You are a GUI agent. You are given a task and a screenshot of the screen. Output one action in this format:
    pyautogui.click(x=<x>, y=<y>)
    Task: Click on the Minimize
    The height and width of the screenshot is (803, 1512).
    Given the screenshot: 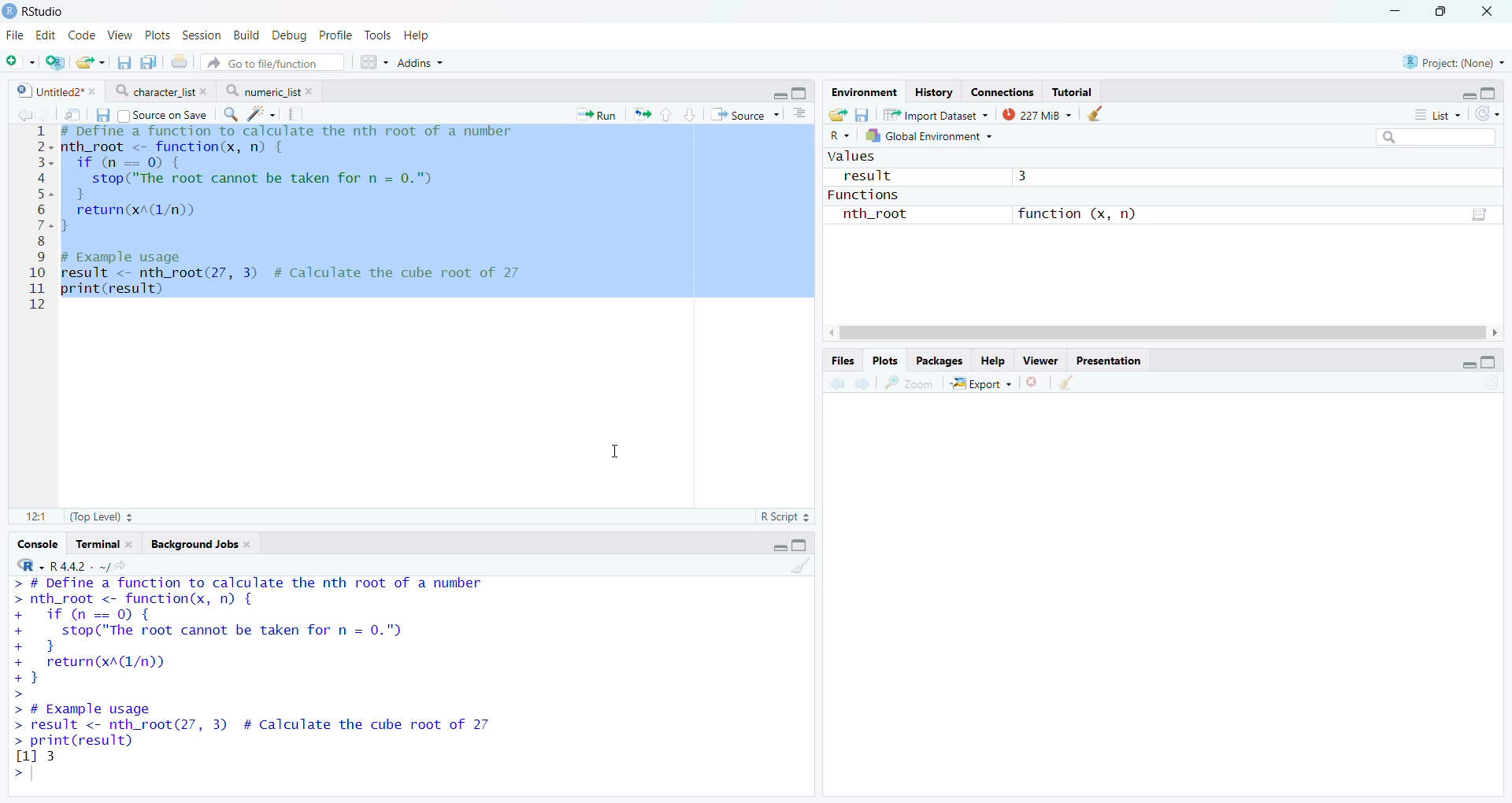 What is the action you would take?
    pyautogui.click(x=1396, y=10)
    